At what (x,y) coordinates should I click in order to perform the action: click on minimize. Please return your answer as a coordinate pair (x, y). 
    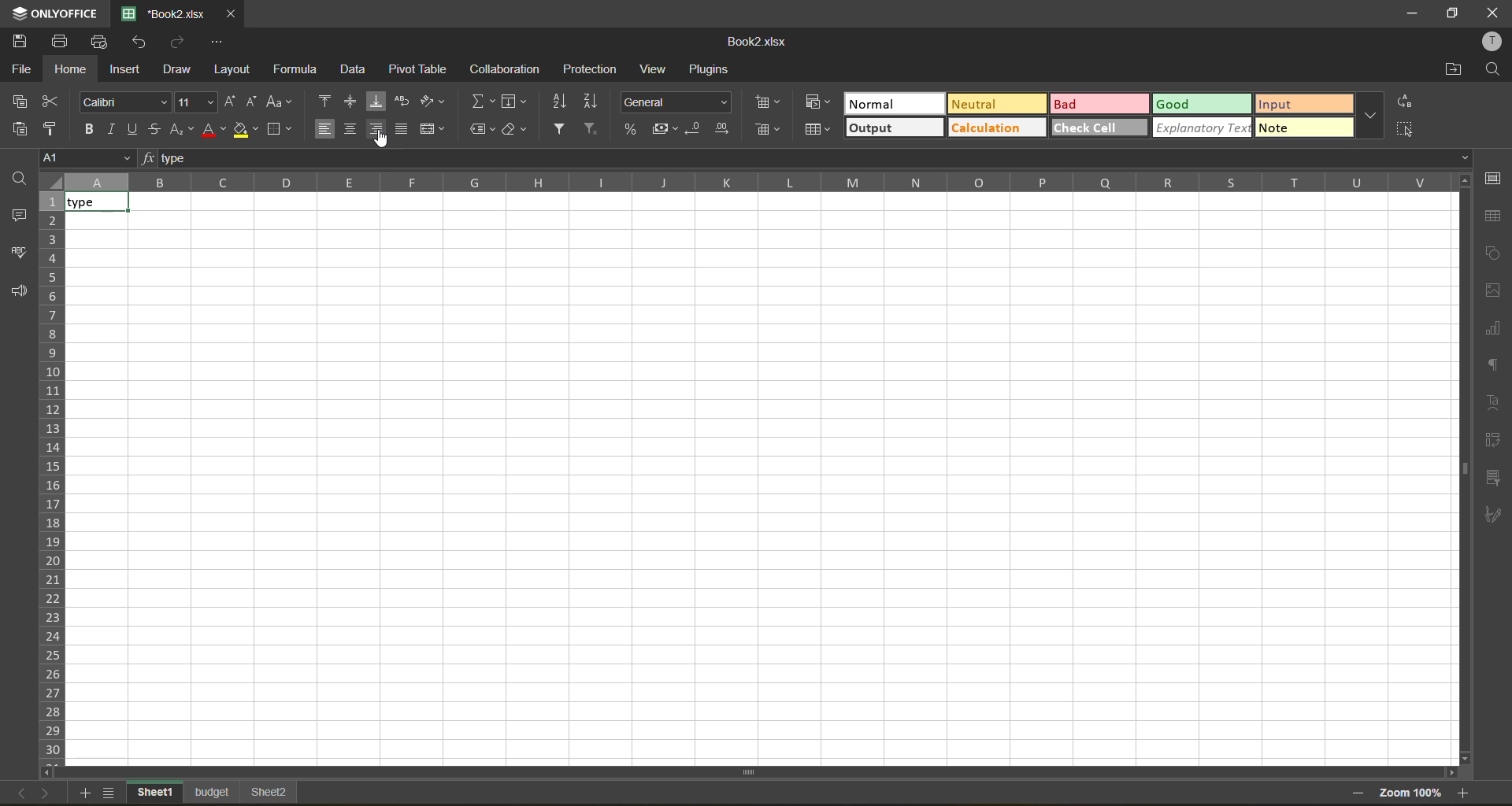
    Looking at the image, I should click on (1413, 15).